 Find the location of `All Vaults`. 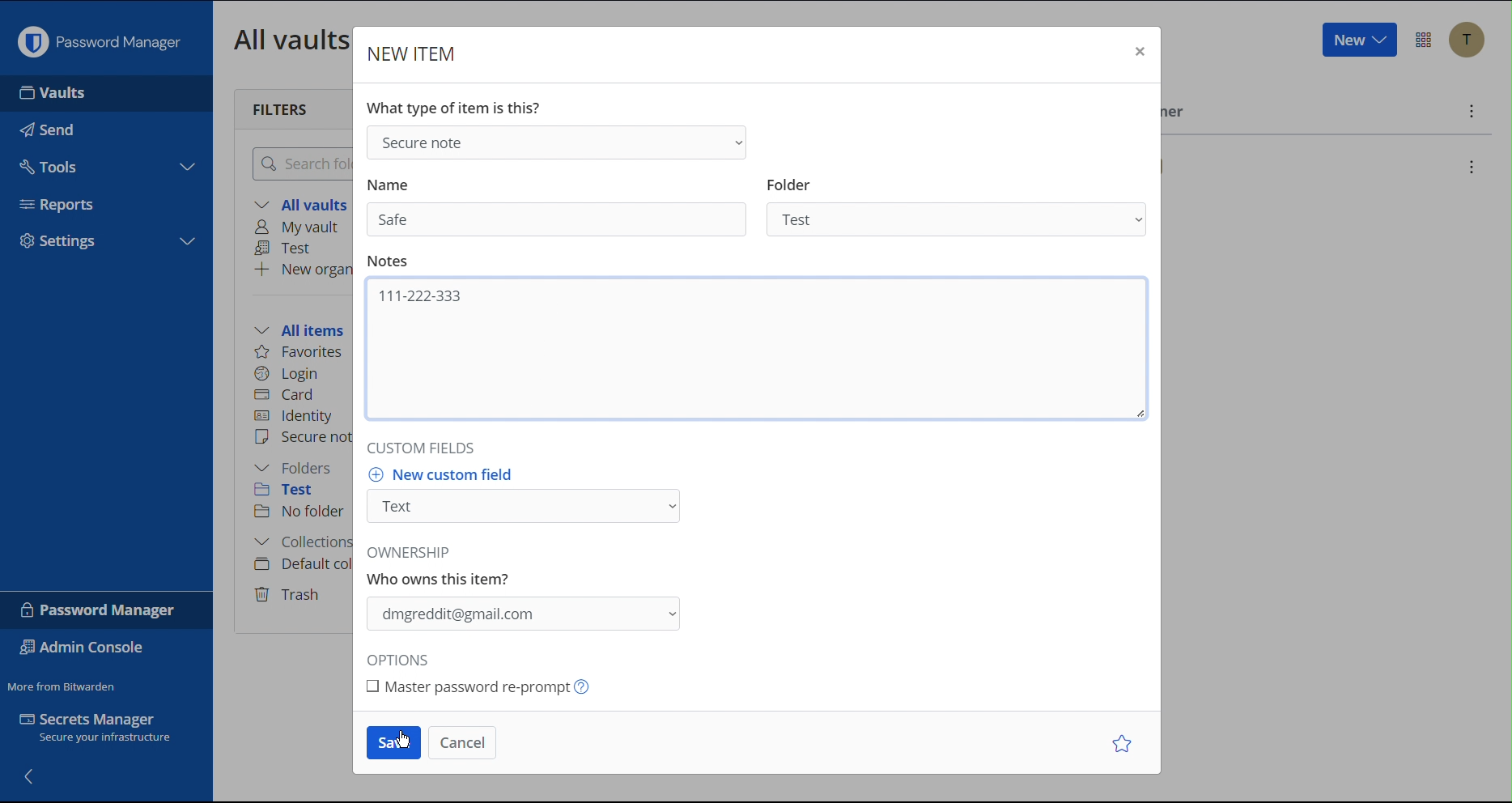

All Vaults is located at coordinates (287, 39).